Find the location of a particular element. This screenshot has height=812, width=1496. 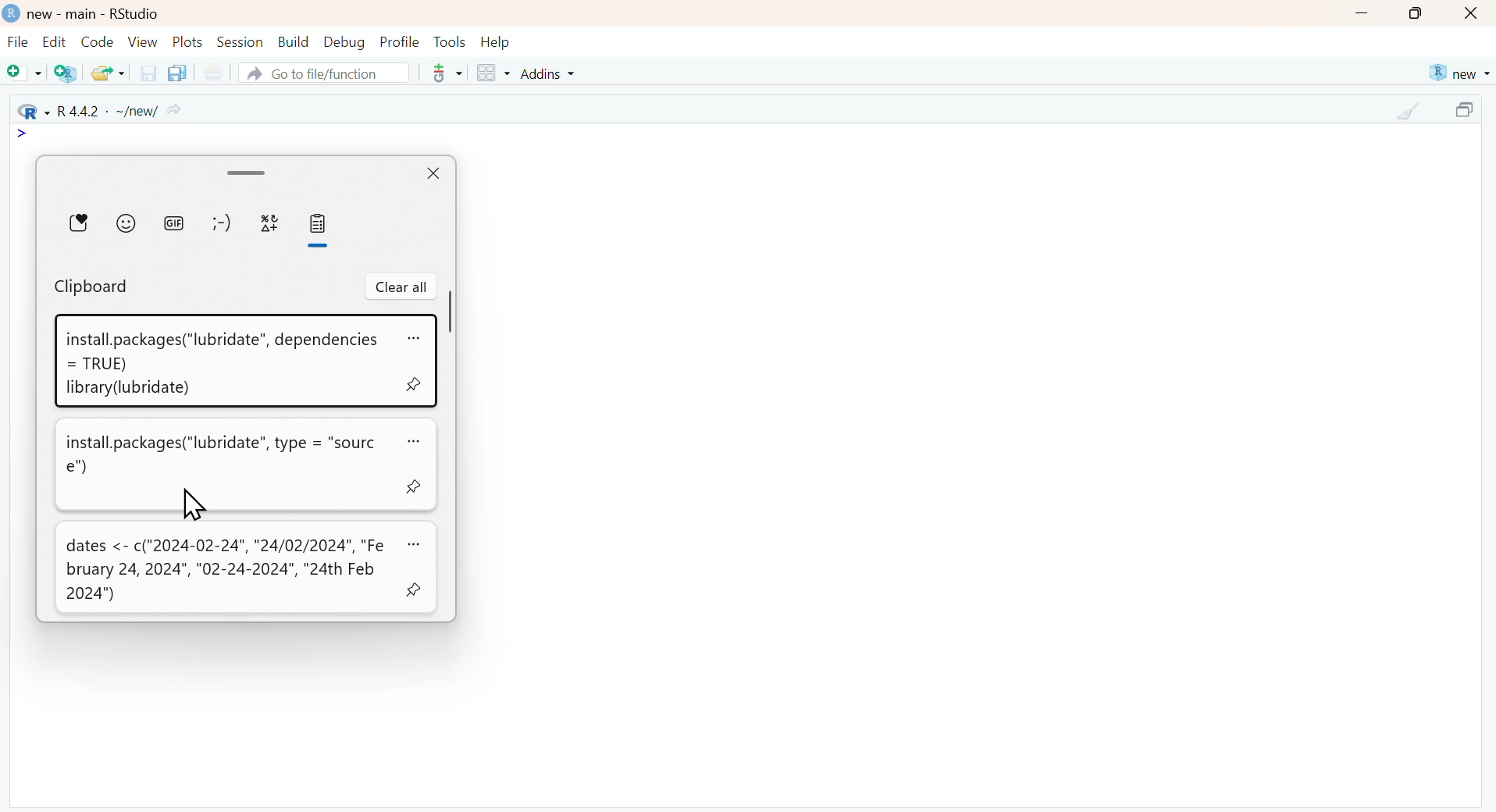

Plots is located at coordinates (188, 41).